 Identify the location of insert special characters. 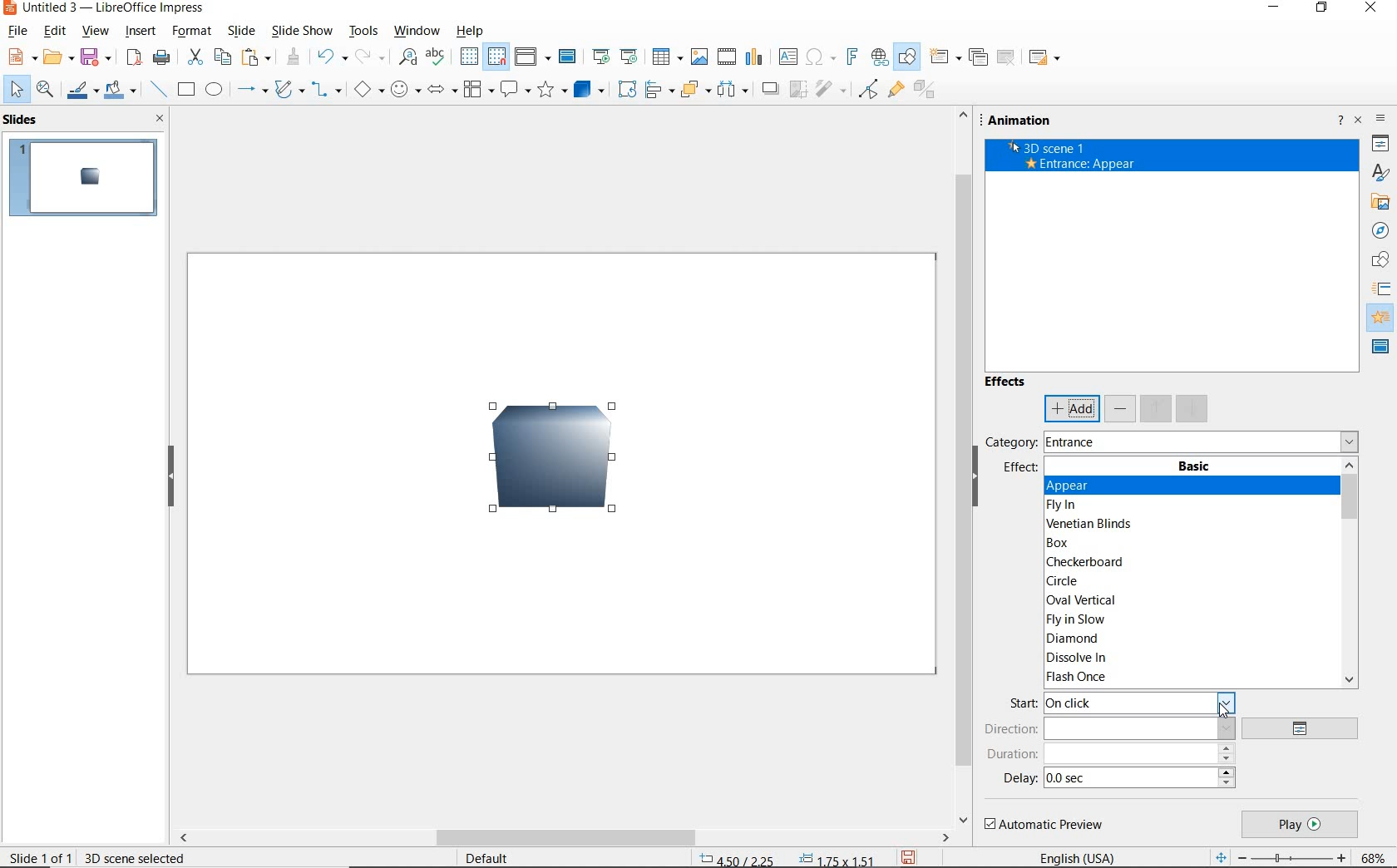
(818, 57).